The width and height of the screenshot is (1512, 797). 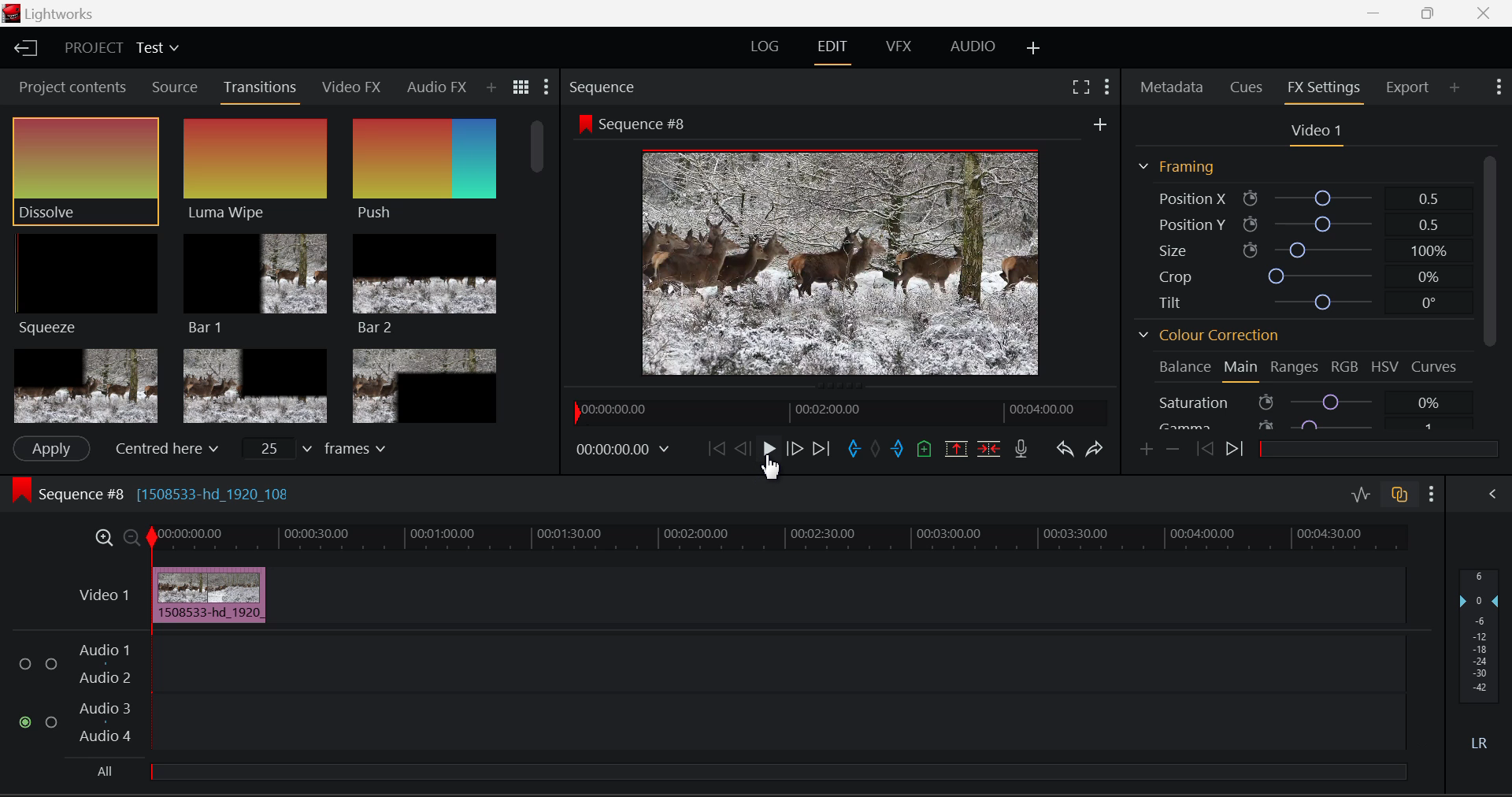 What do you see at coordinates (1242, 369) in the screenshot?
I see `Main` at bounding box center [1242, 369].